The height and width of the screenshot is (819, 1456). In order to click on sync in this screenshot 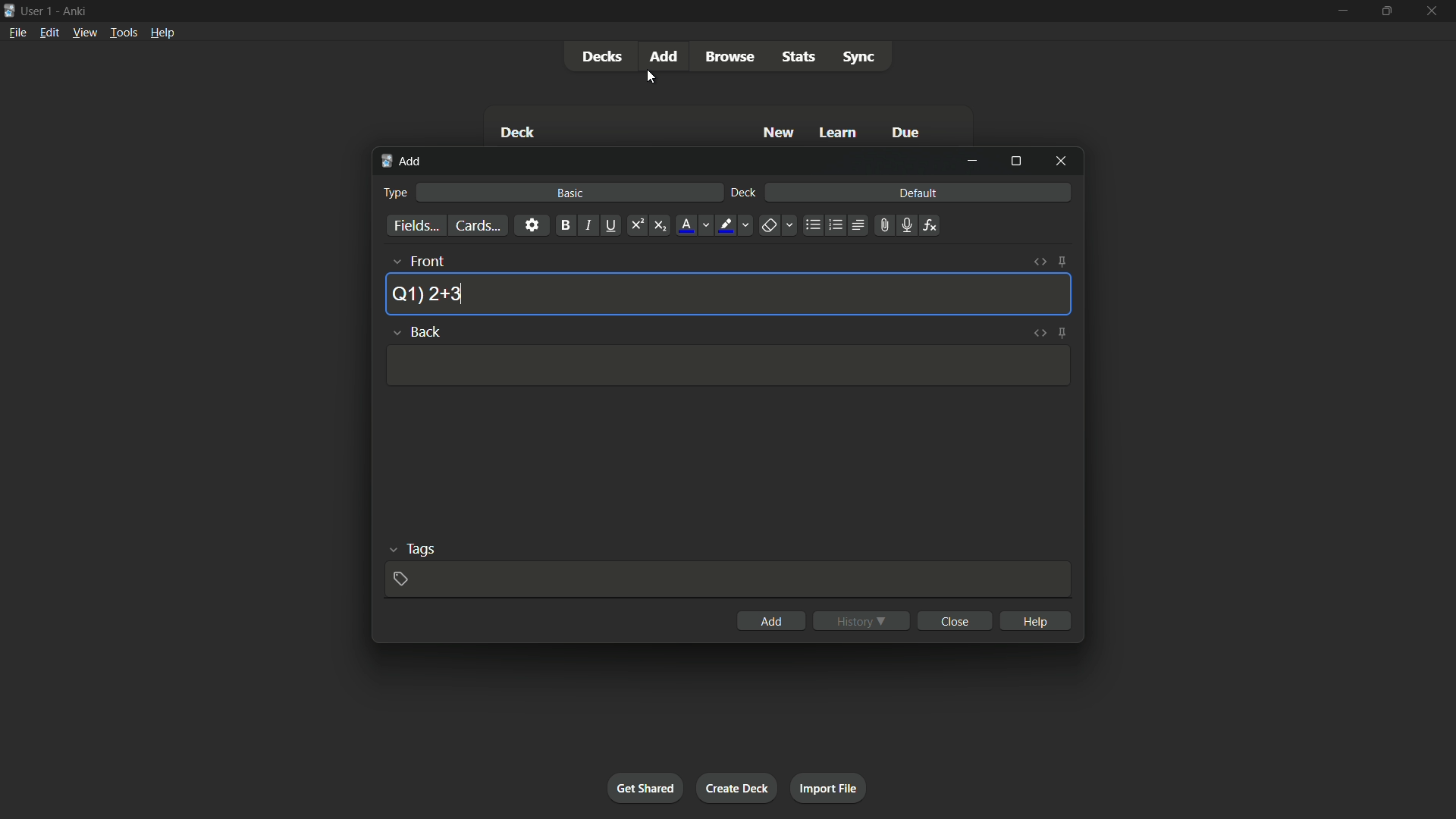, I will do `click(859, 58)`.